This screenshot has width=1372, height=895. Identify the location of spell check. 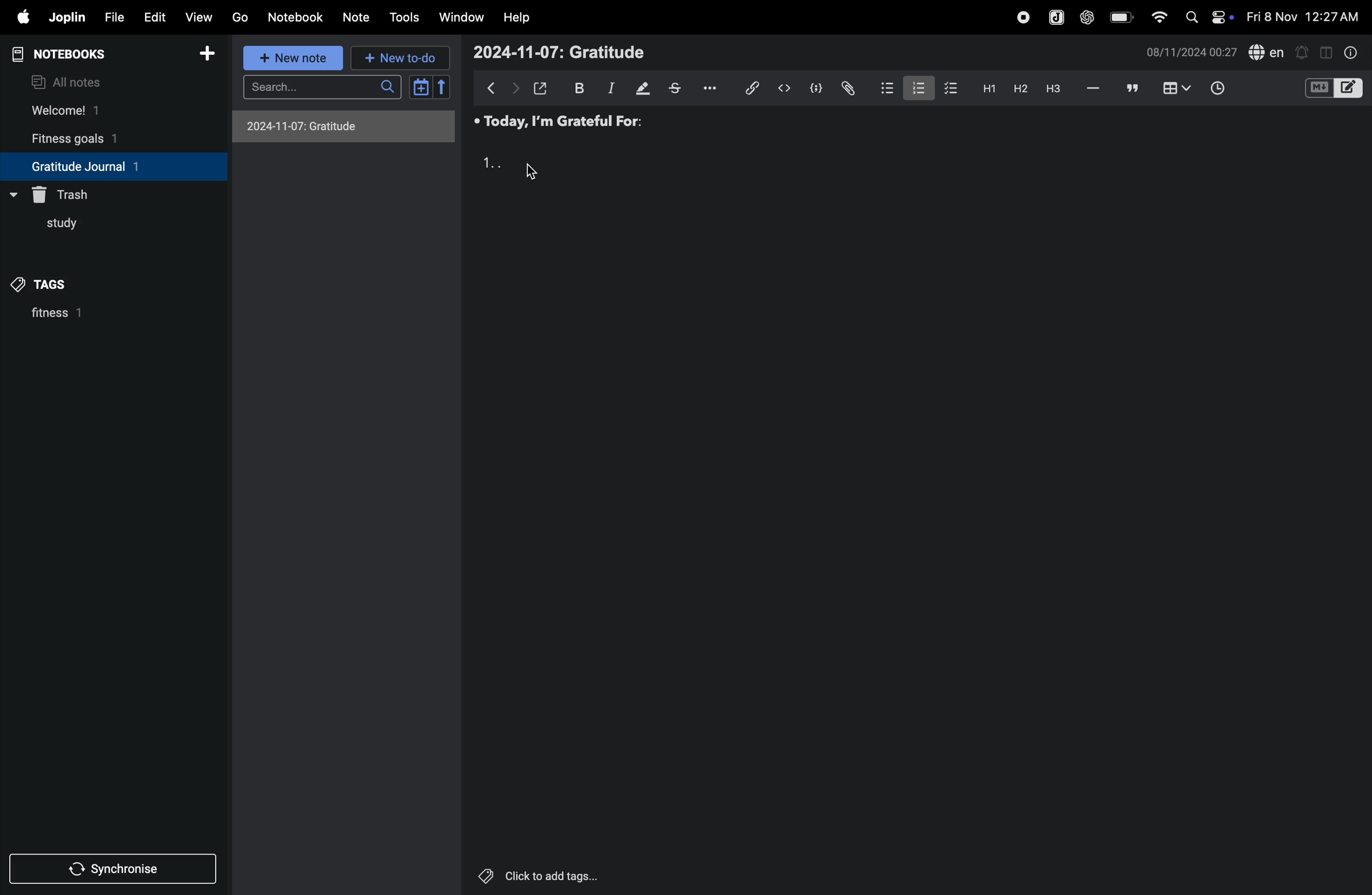
(1268, 51).